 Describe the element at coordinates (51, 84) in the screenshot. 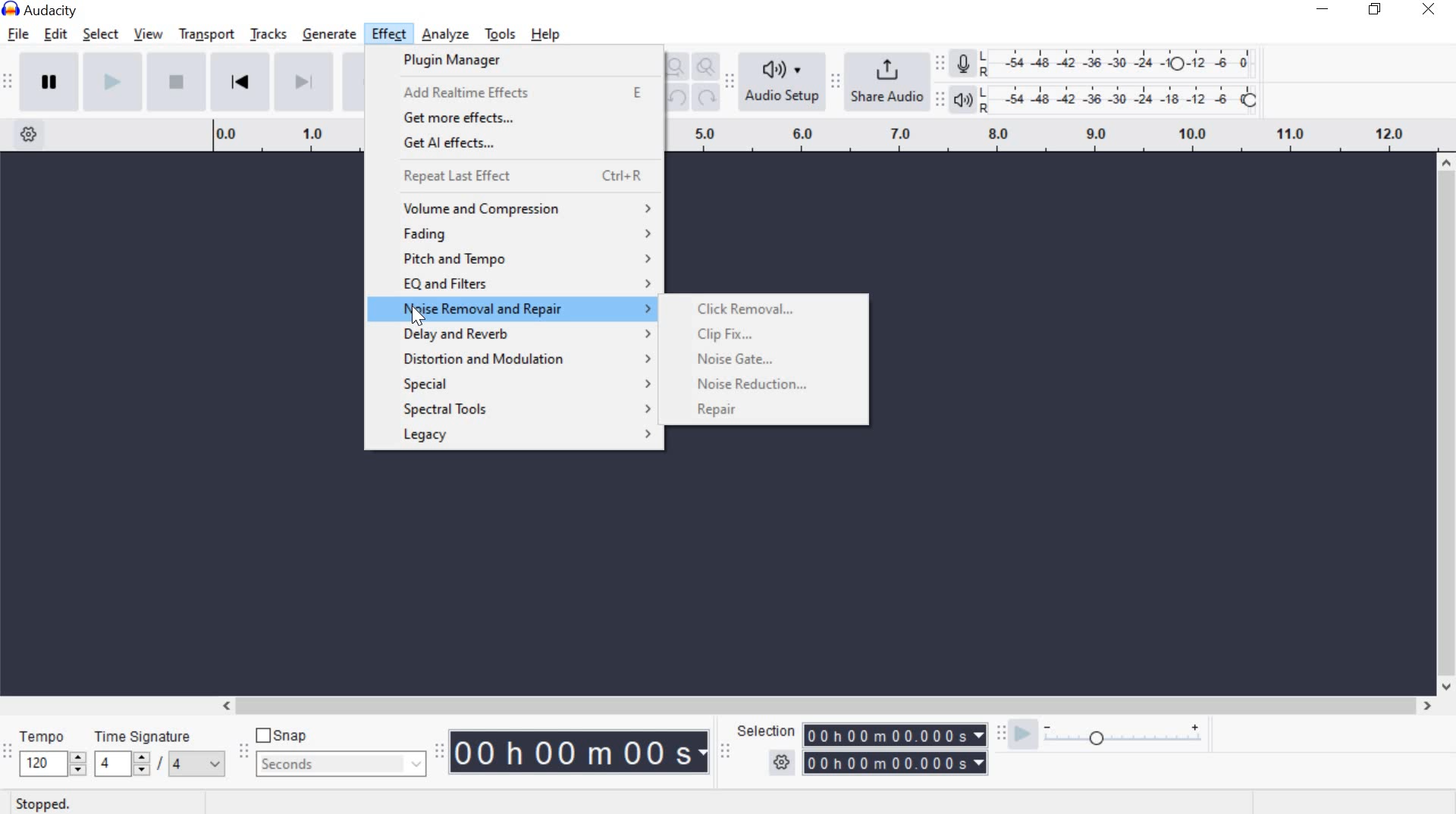

I see `pause` at that location.